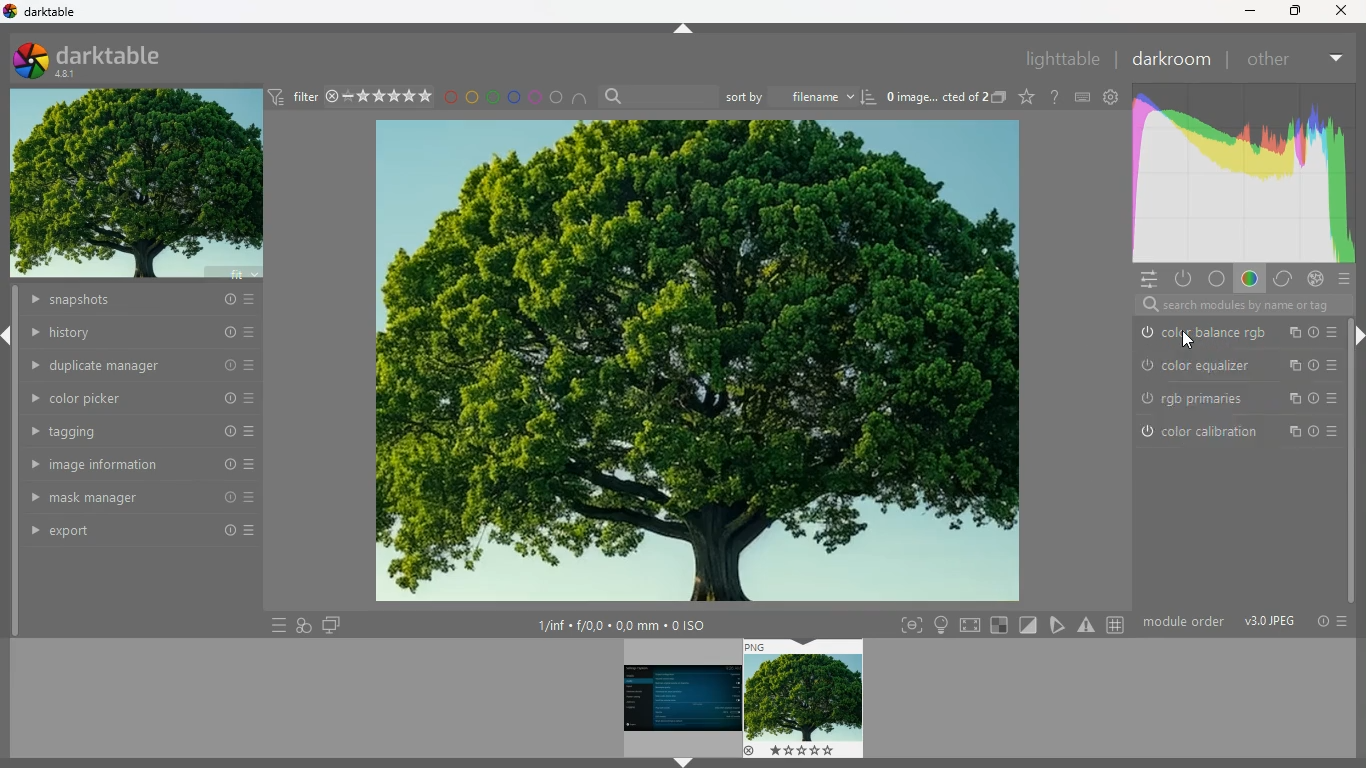  What do you see at coordinates (143, 333) in the screenshot?
I see `history` at bounding box center [143, 333].